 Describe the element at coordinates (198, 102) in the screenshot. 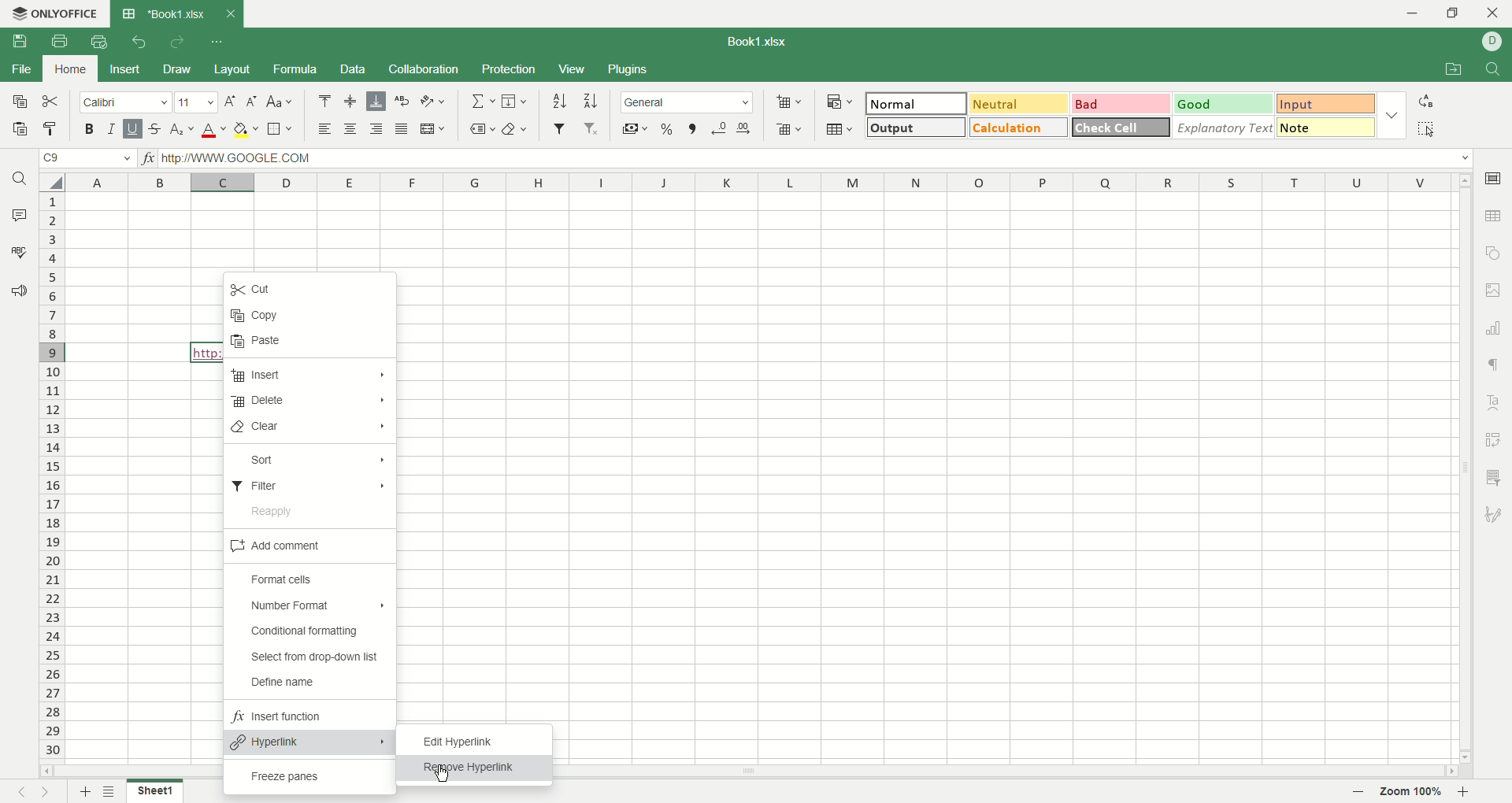

I see `font size` at that location.